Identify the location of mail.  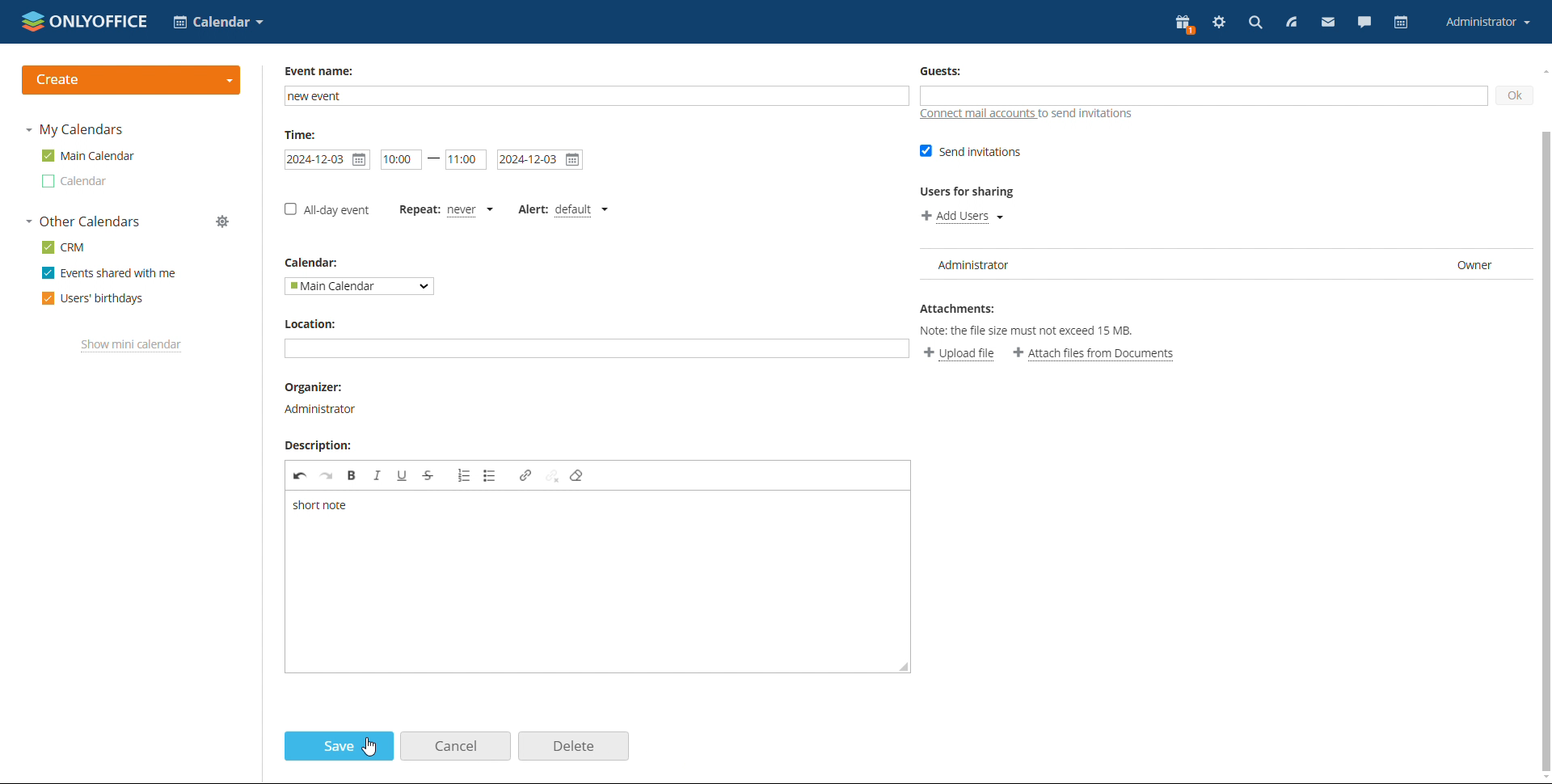
(1329, 22).